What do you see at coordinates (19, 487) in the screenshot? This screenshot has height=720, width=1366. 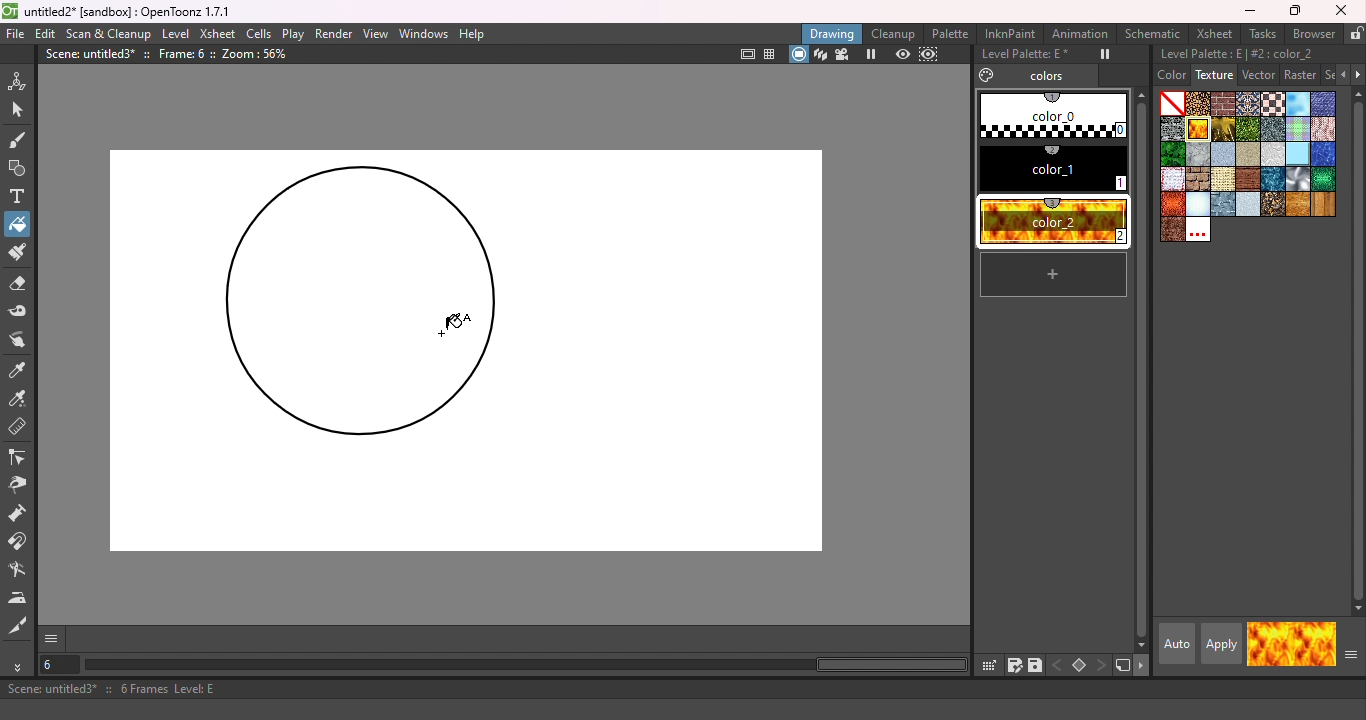 I see `Pinch` at bounding box center [19, 487].